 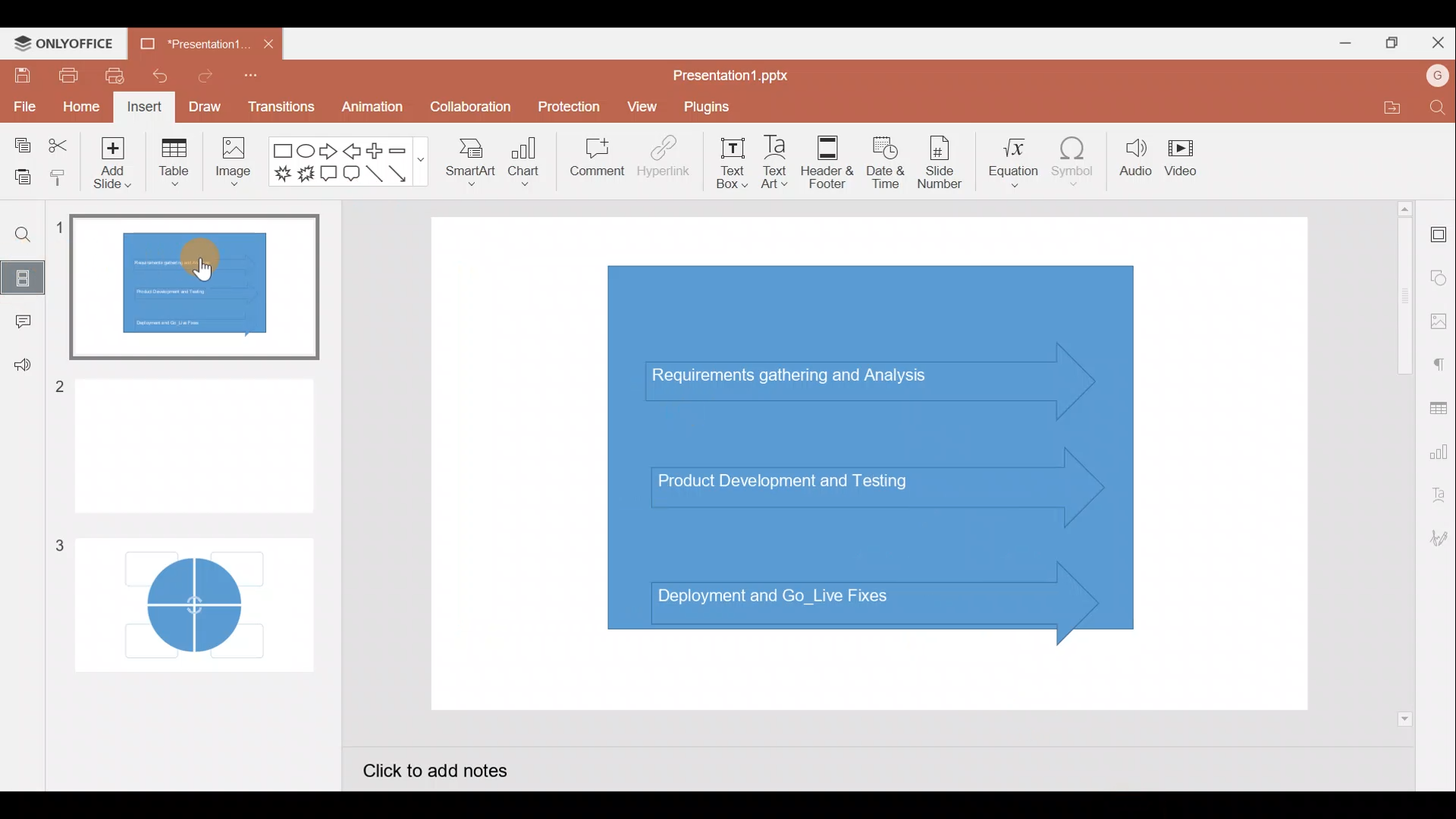 What do you see at coordinates (1432, 78) in the screenshot?
I see `Account name` at bounding box center [1432, 78].